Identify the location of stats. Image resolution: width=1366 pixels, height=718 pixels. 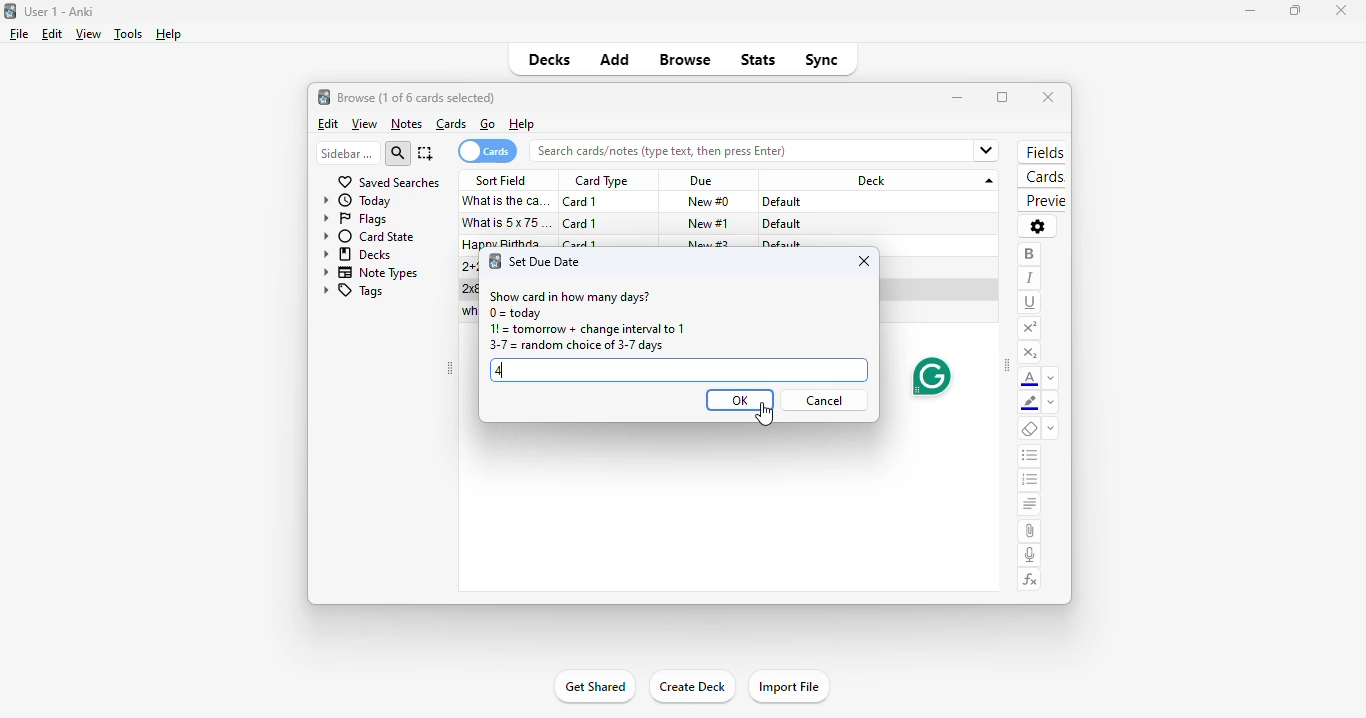
(758, 59).